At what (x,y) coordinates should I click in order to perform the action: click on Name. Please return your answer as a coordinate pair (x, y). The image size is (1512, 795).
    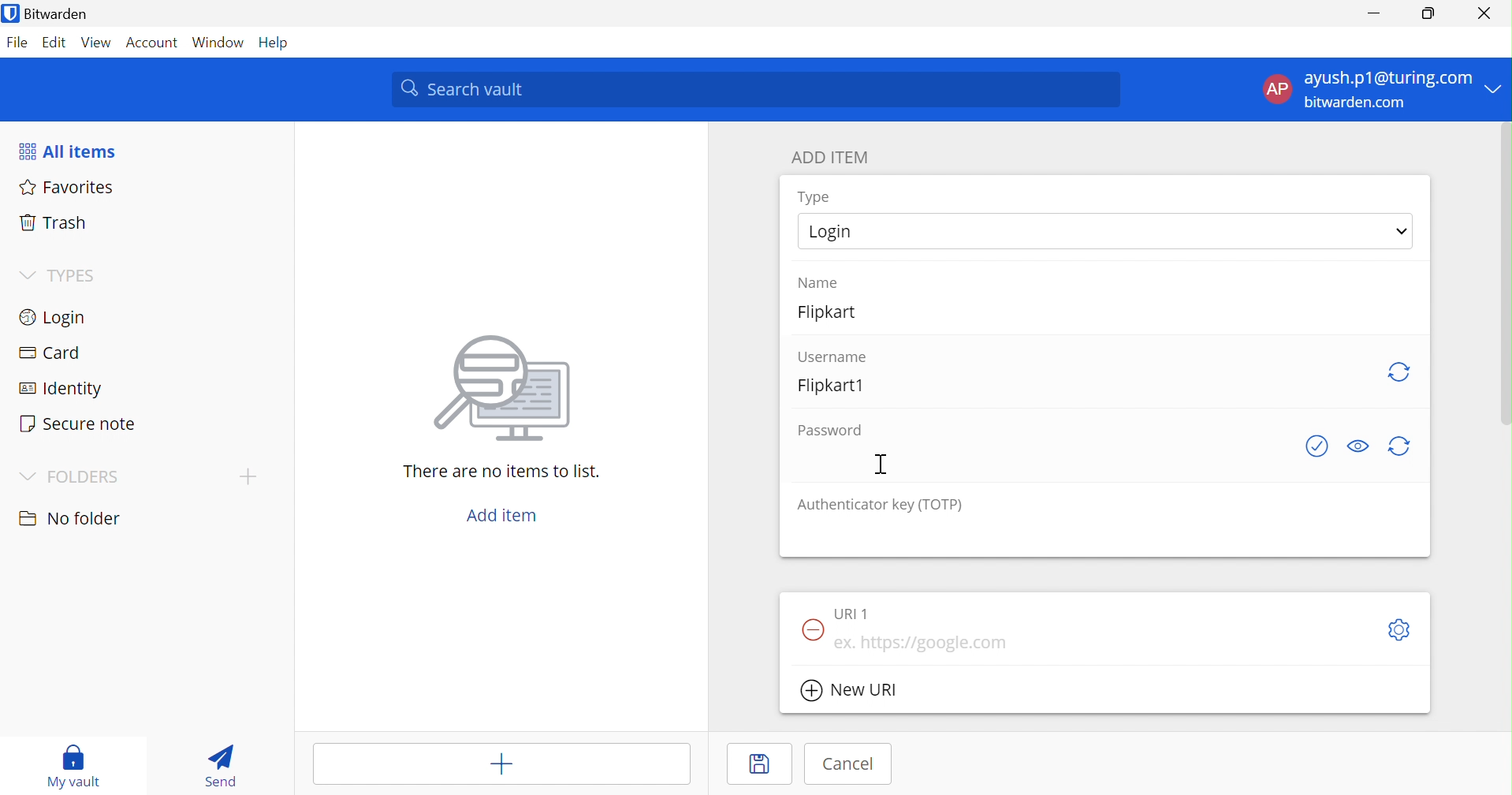
    Looking at the image, I should click on (821, 281).